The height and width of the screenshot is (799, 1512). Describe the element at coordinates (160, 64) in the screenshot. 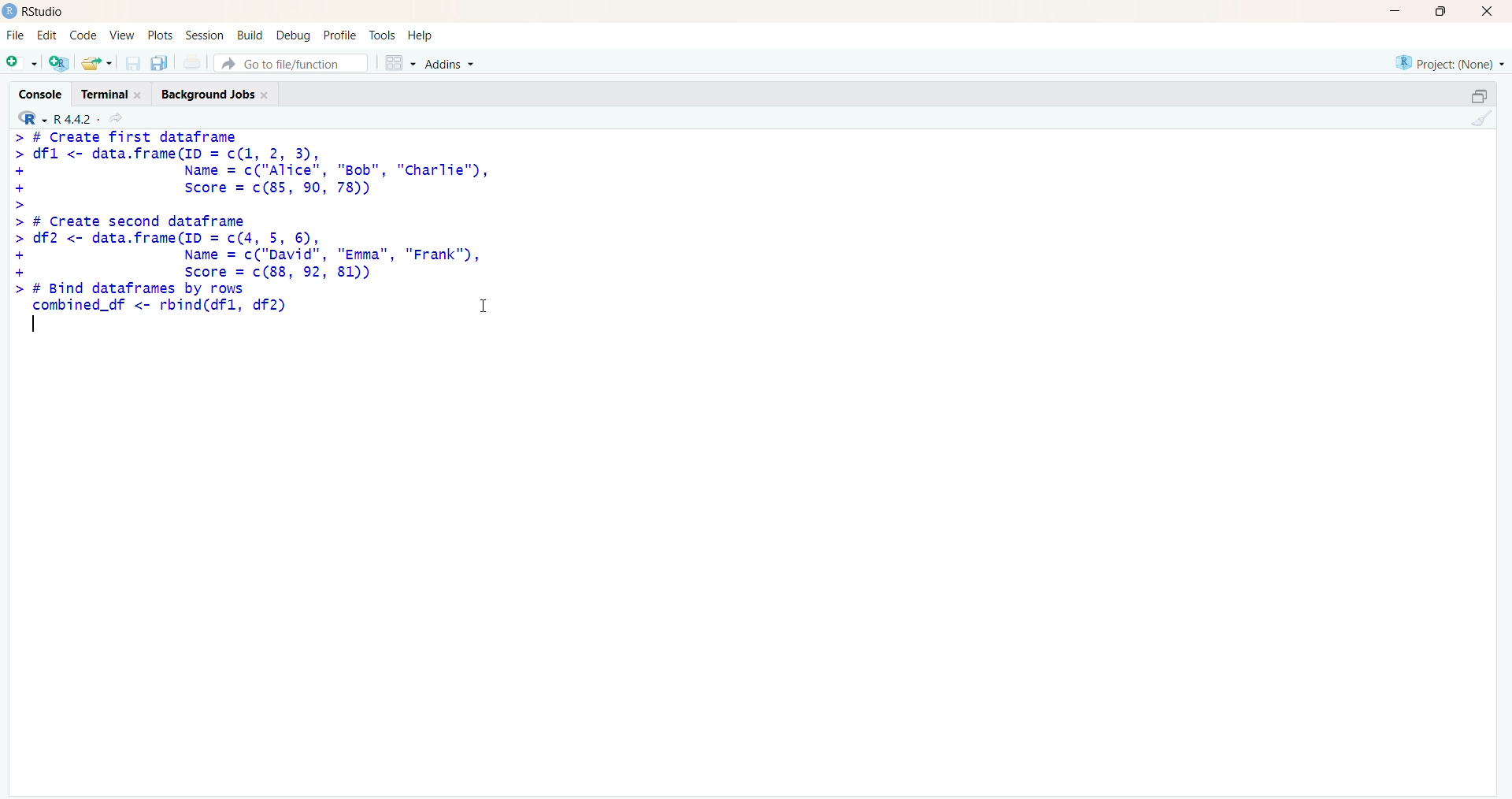

I see `save all open document` at that location.